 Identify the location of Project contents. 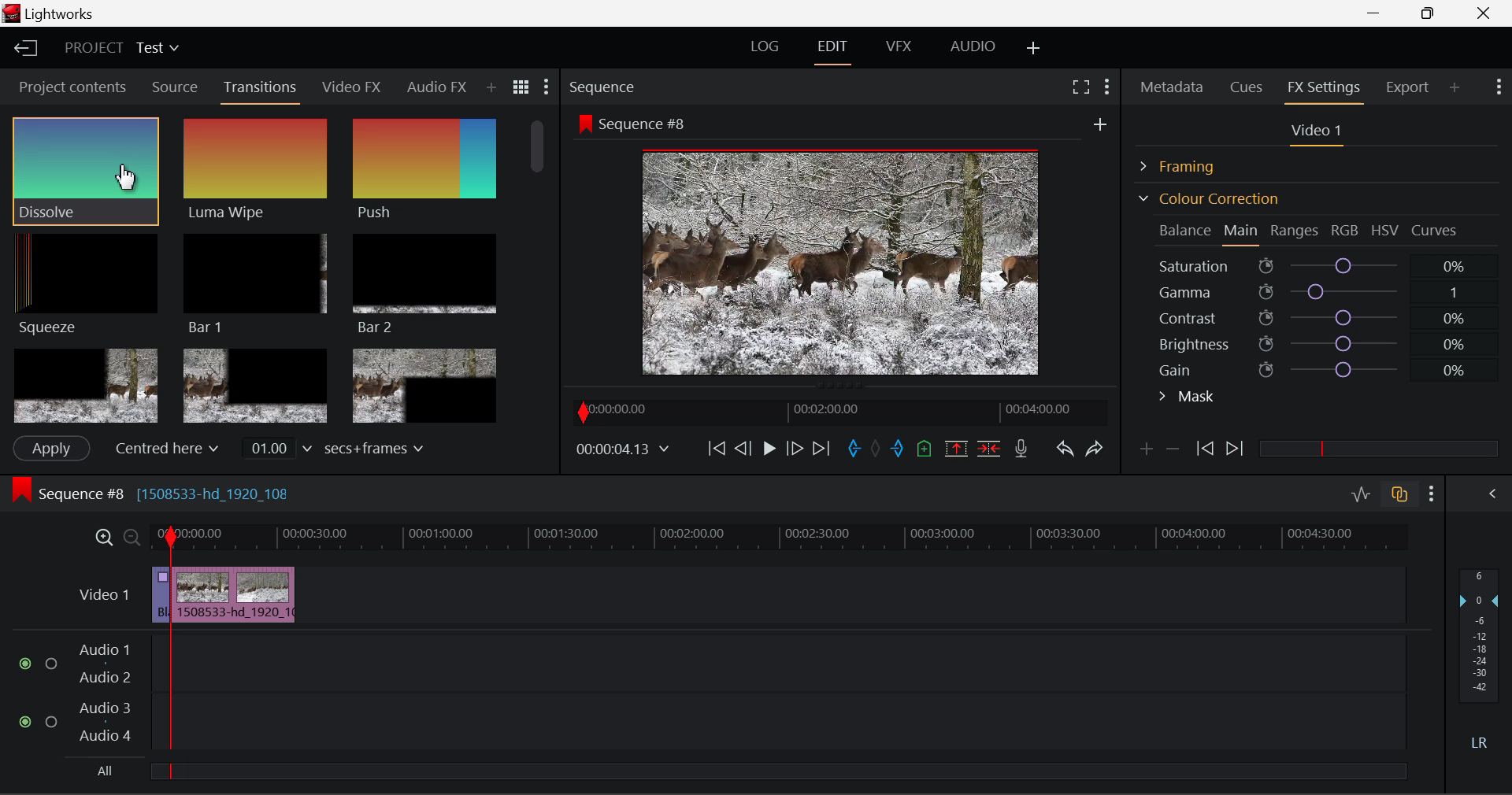
(72, 91).